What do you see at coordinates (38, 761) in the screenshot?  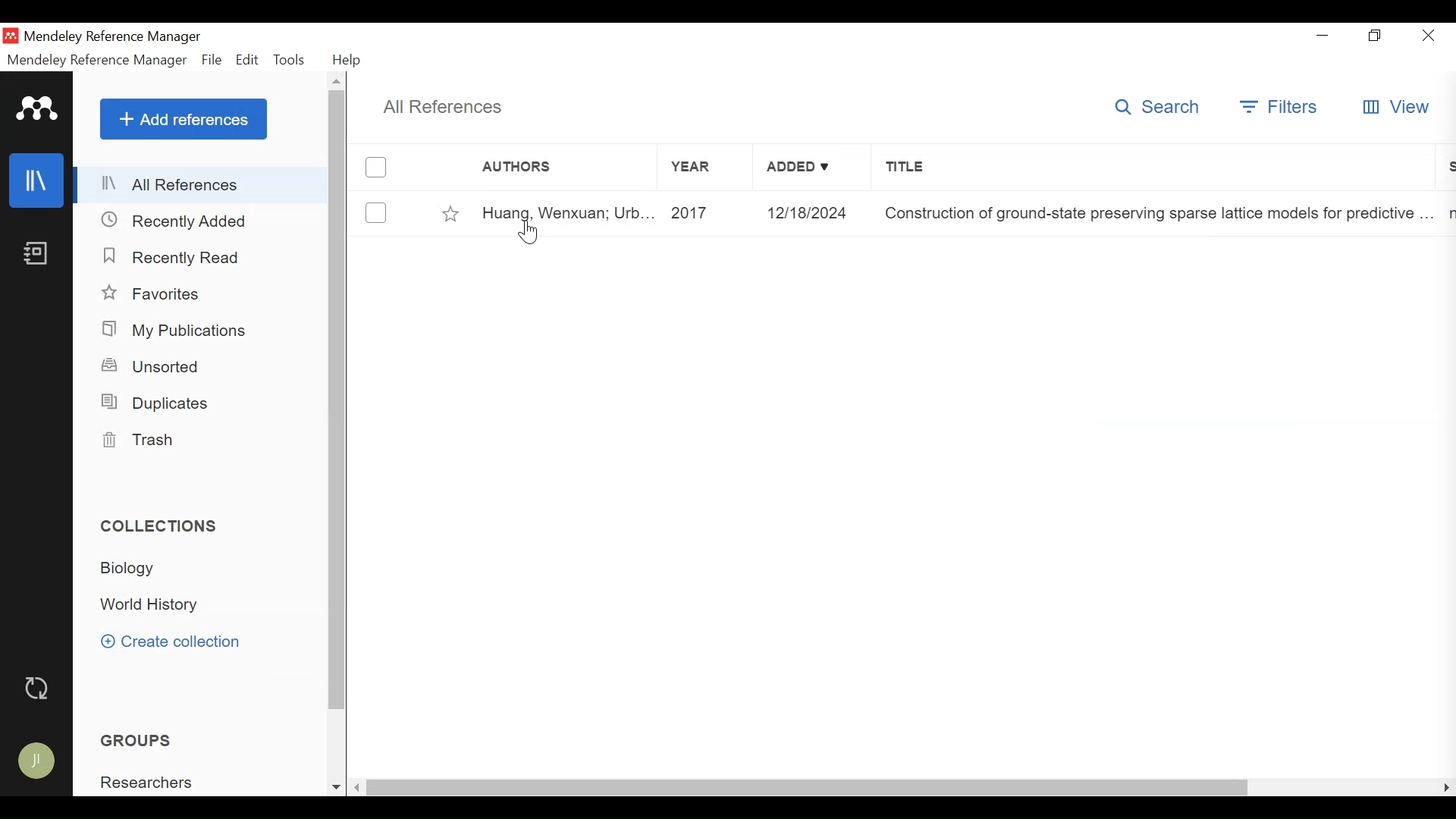 I see `Avatar` at bounding box center [38, 761].